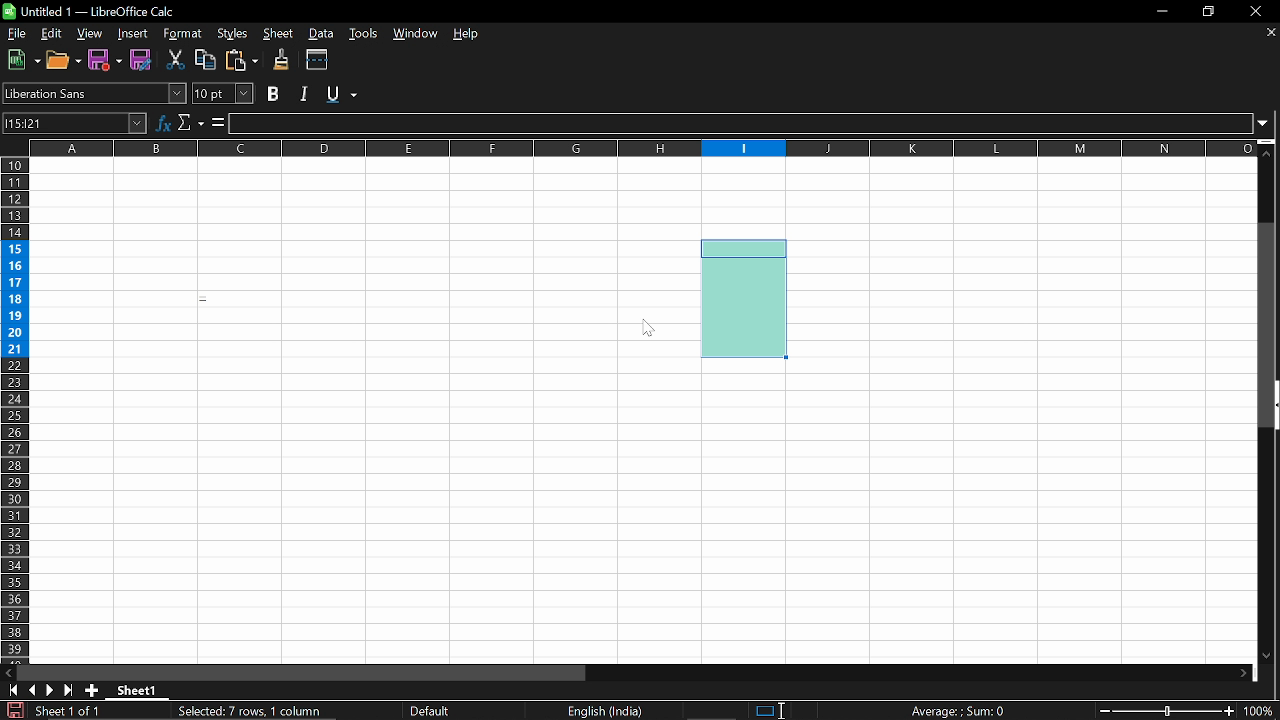 This screenshot has width=1280, height=720. What do you see at coordinates (1021, 259) in the screenshot?
I see `Fillable cells` at bounding box center [1021, 259].